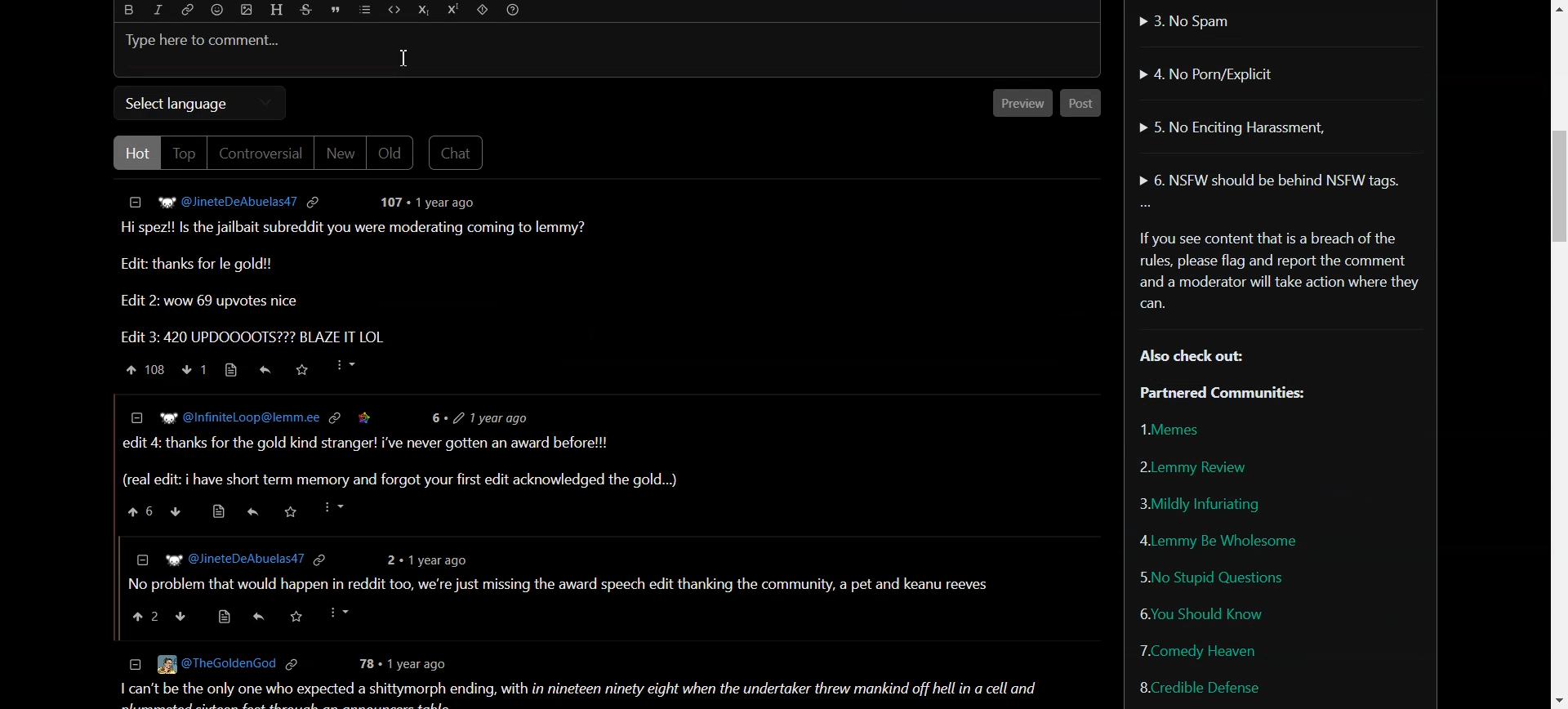 Image resolution: width=1568 pixels, height=709 pixels. I want to click on More, so click(1147, 206).